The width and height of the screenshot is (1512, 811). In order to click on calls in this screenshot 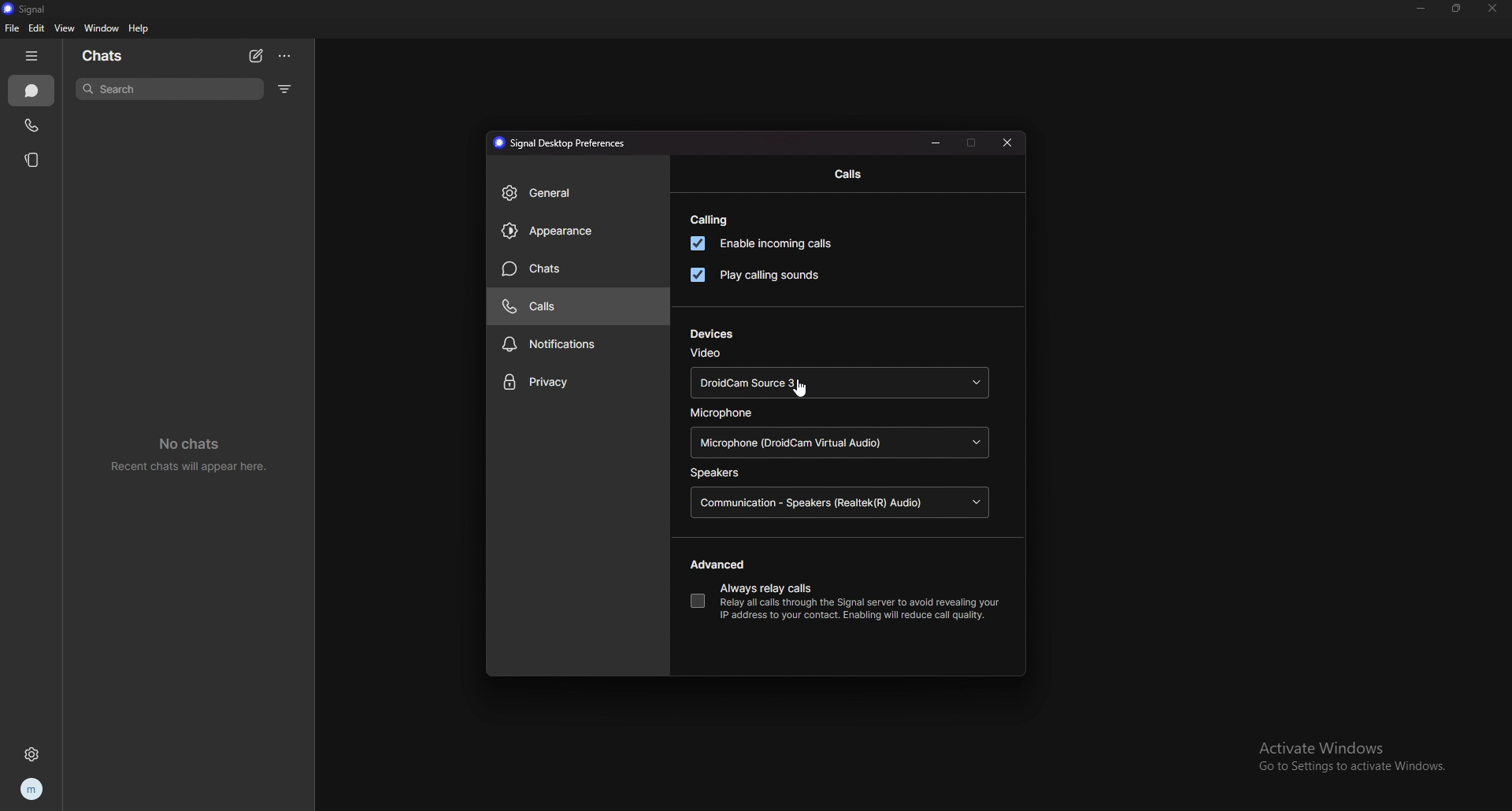, I will do `click(576, 306)`.